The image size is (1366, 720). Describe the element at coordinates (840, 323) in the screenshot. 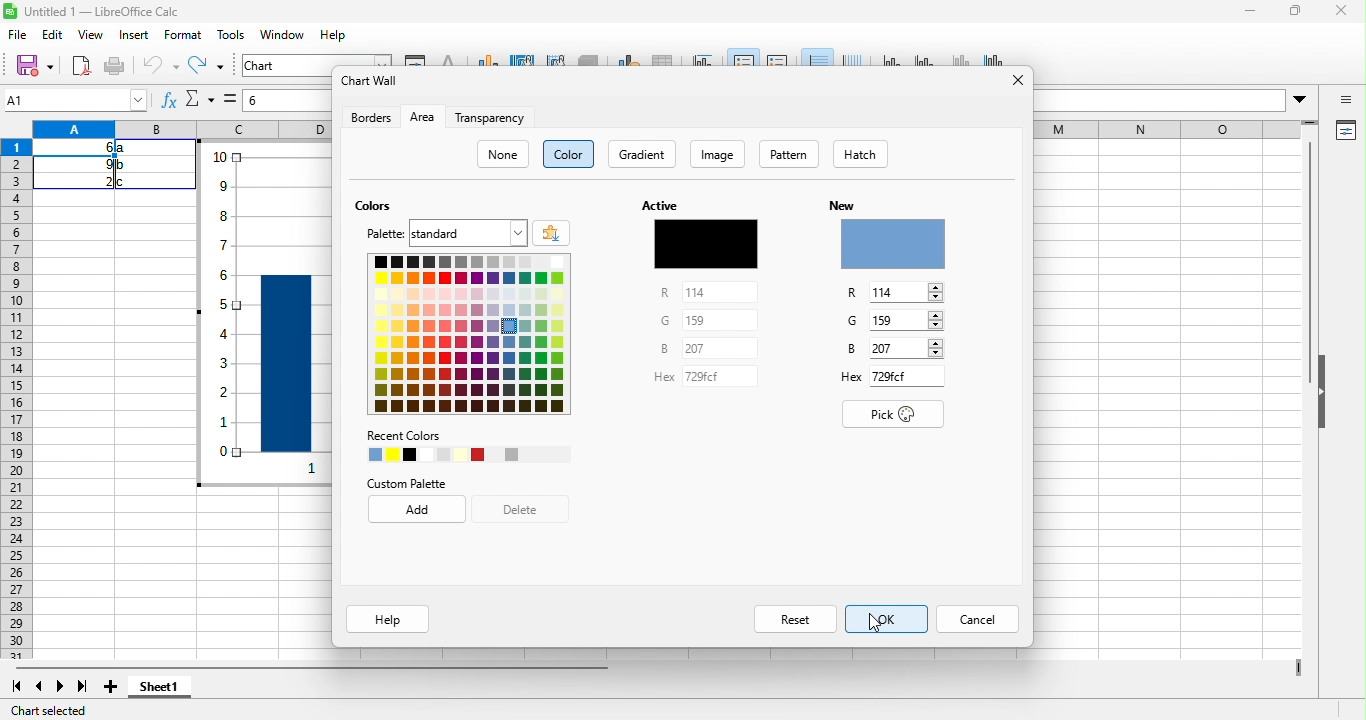

I see `G` at that location.